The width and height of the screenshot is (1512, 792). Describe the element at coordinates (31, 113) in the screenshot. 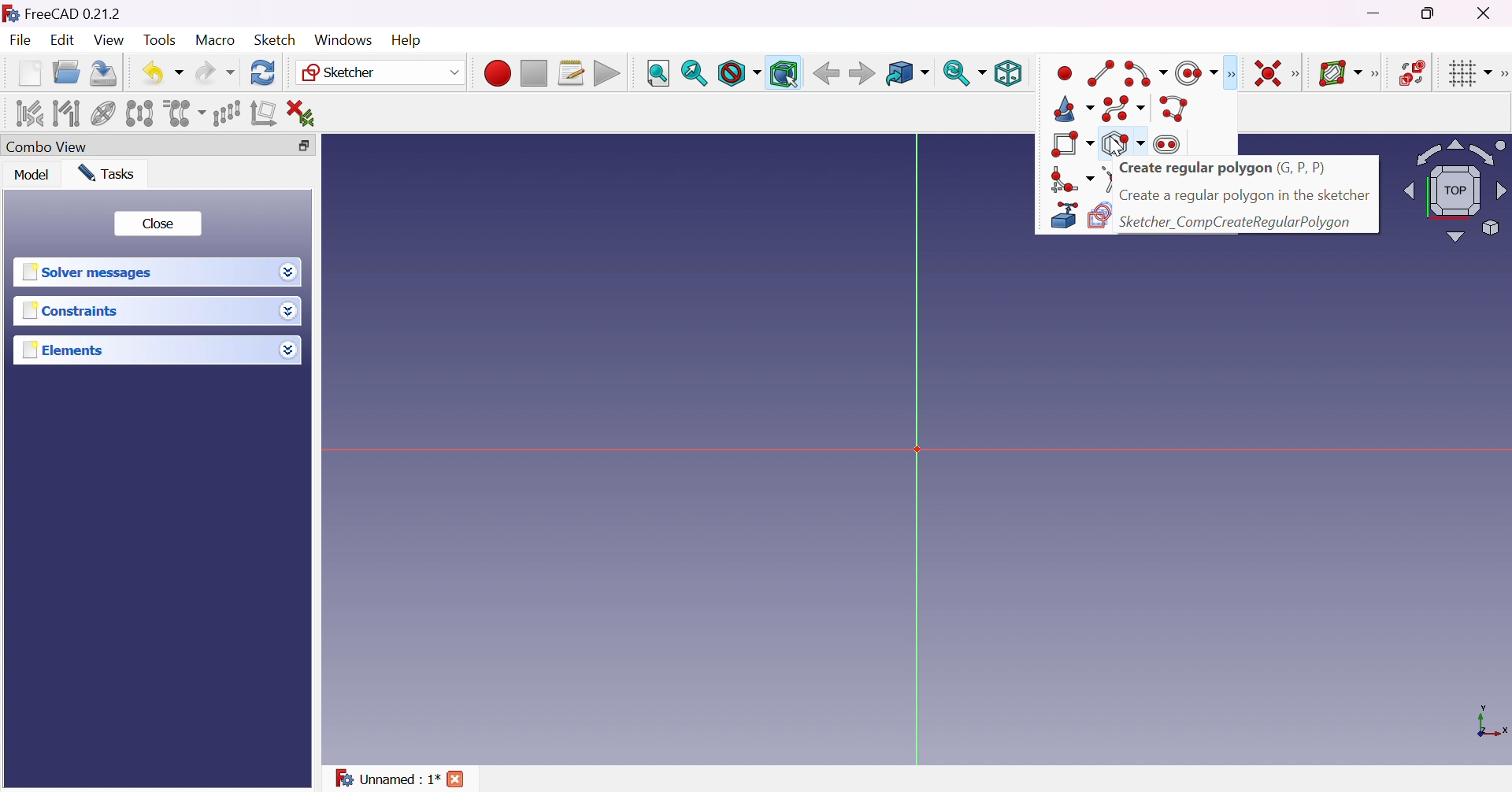

I see `Select associated constraints` at that location.